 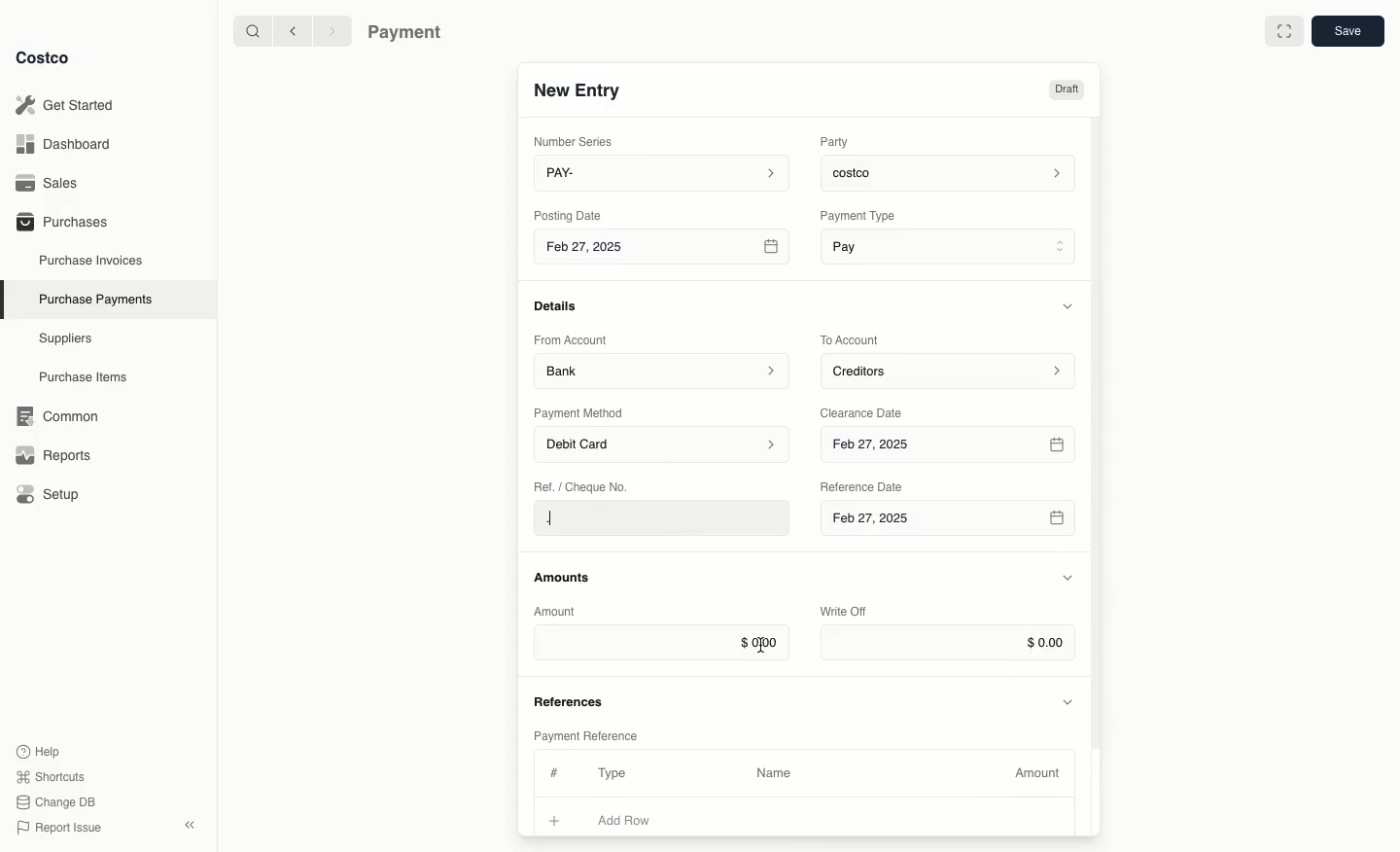 I want to click on Setup, so click(x=54, y=496).